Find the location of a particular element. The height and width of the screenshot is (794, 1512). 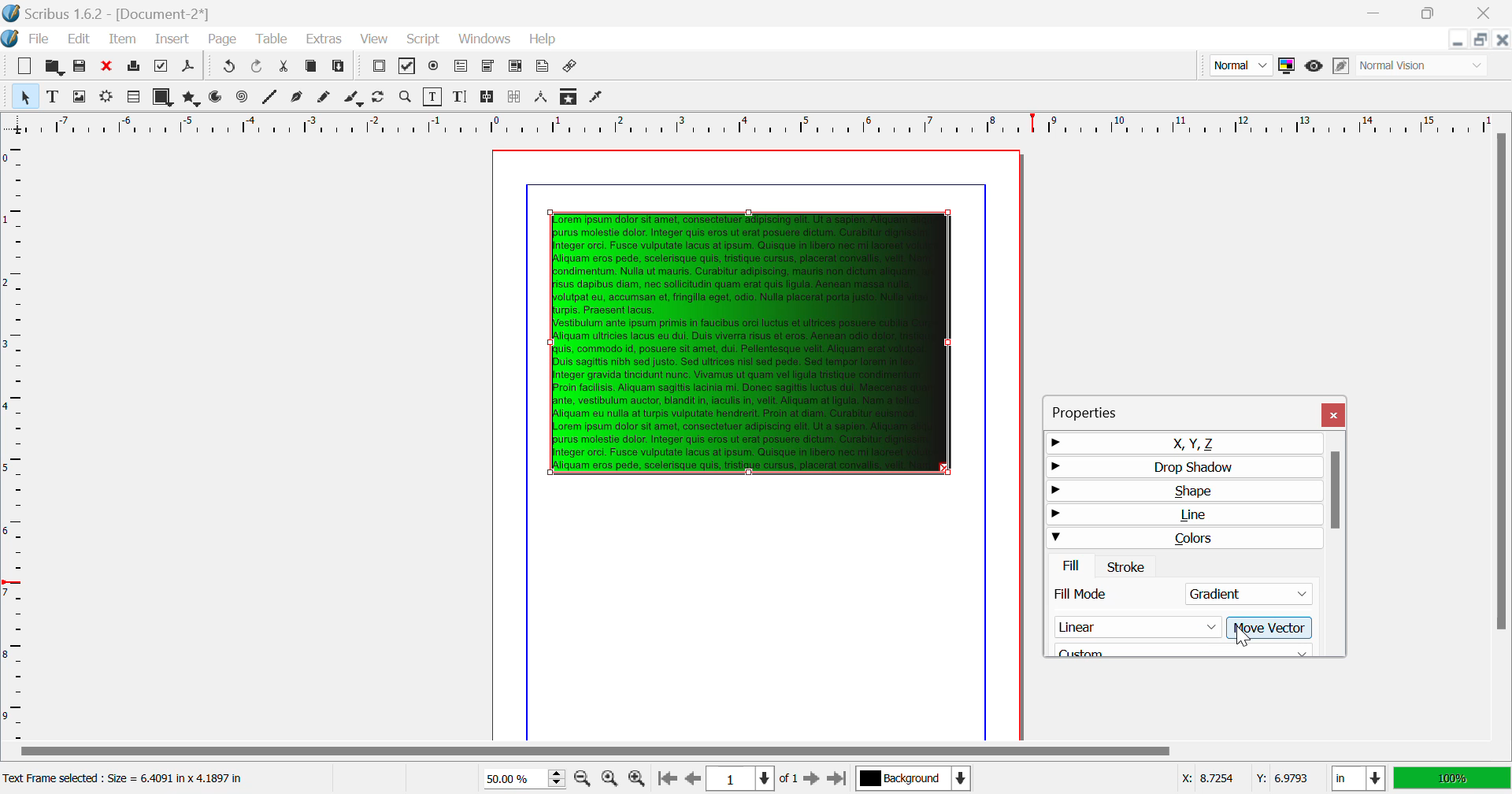

Line is located at coordinates (270, 98).